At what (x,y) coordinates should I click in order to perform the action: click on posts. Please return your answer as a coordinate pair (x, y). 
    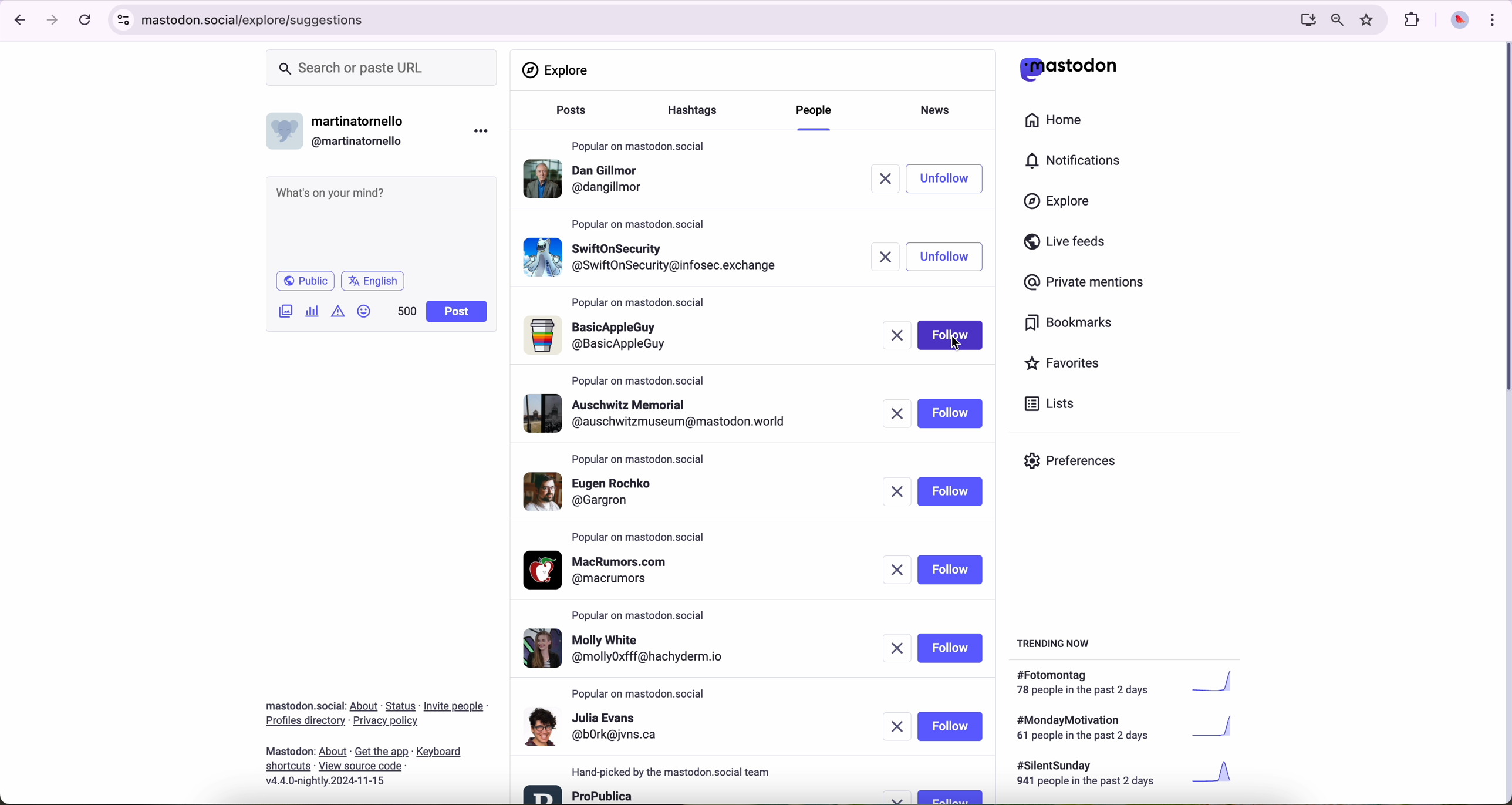
    Looking at the image, I should click on (568, 116).